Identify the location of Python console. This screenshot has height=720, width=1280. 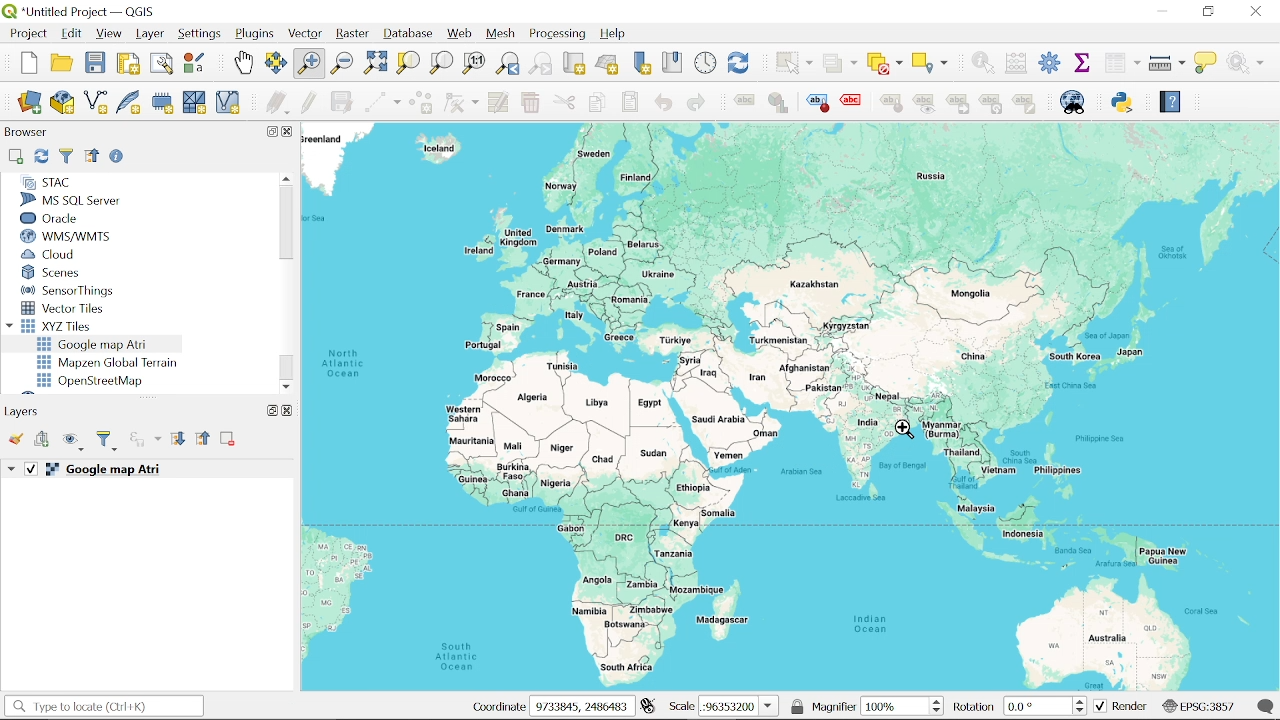
(1124, 102).